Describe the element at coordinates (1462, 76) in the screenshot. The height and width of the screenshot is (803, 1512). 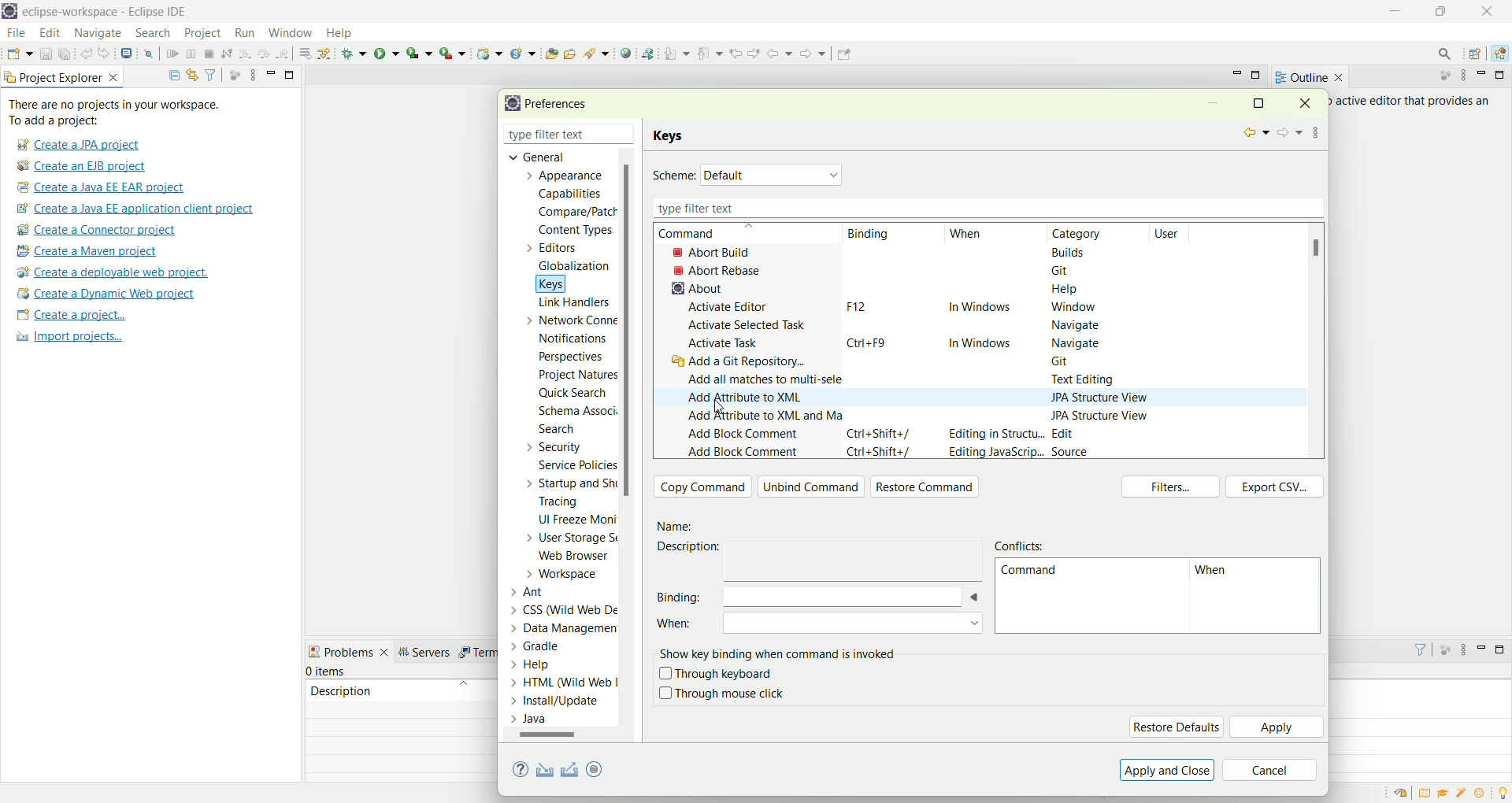
I see `view menu` at that location.